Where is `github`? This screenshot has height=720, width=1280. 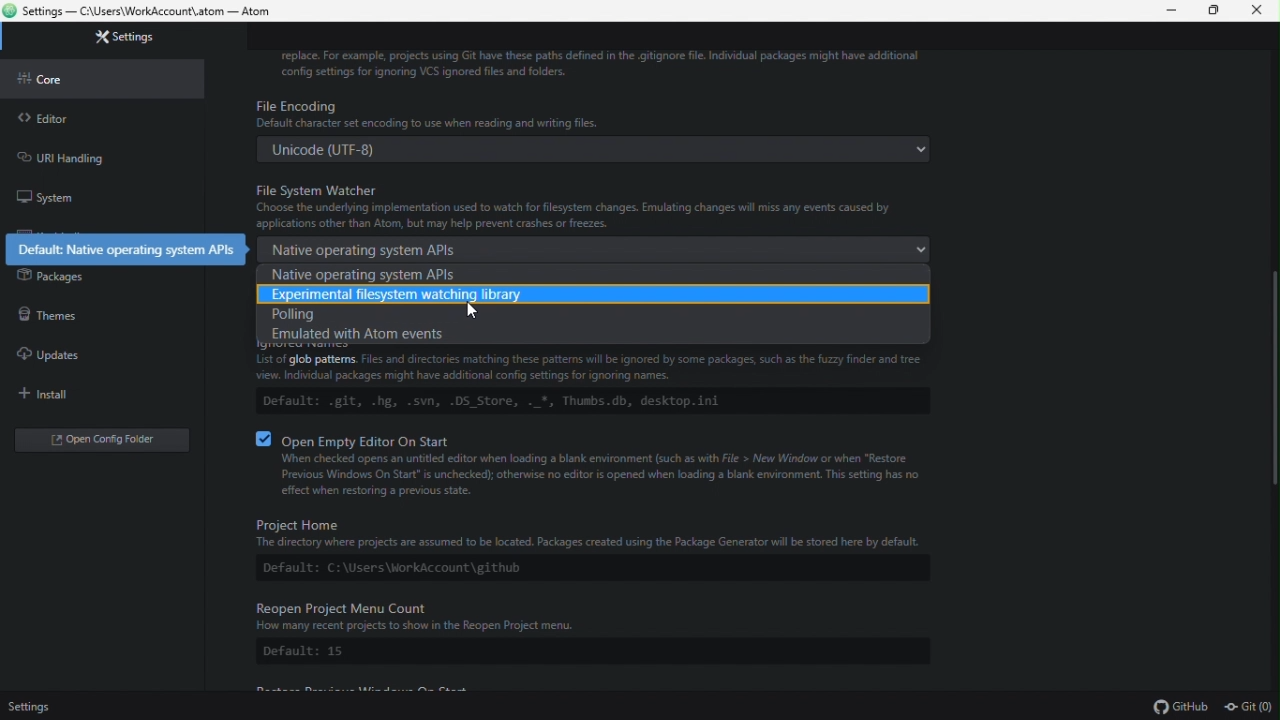 github is located at coordinates (1181, 708).